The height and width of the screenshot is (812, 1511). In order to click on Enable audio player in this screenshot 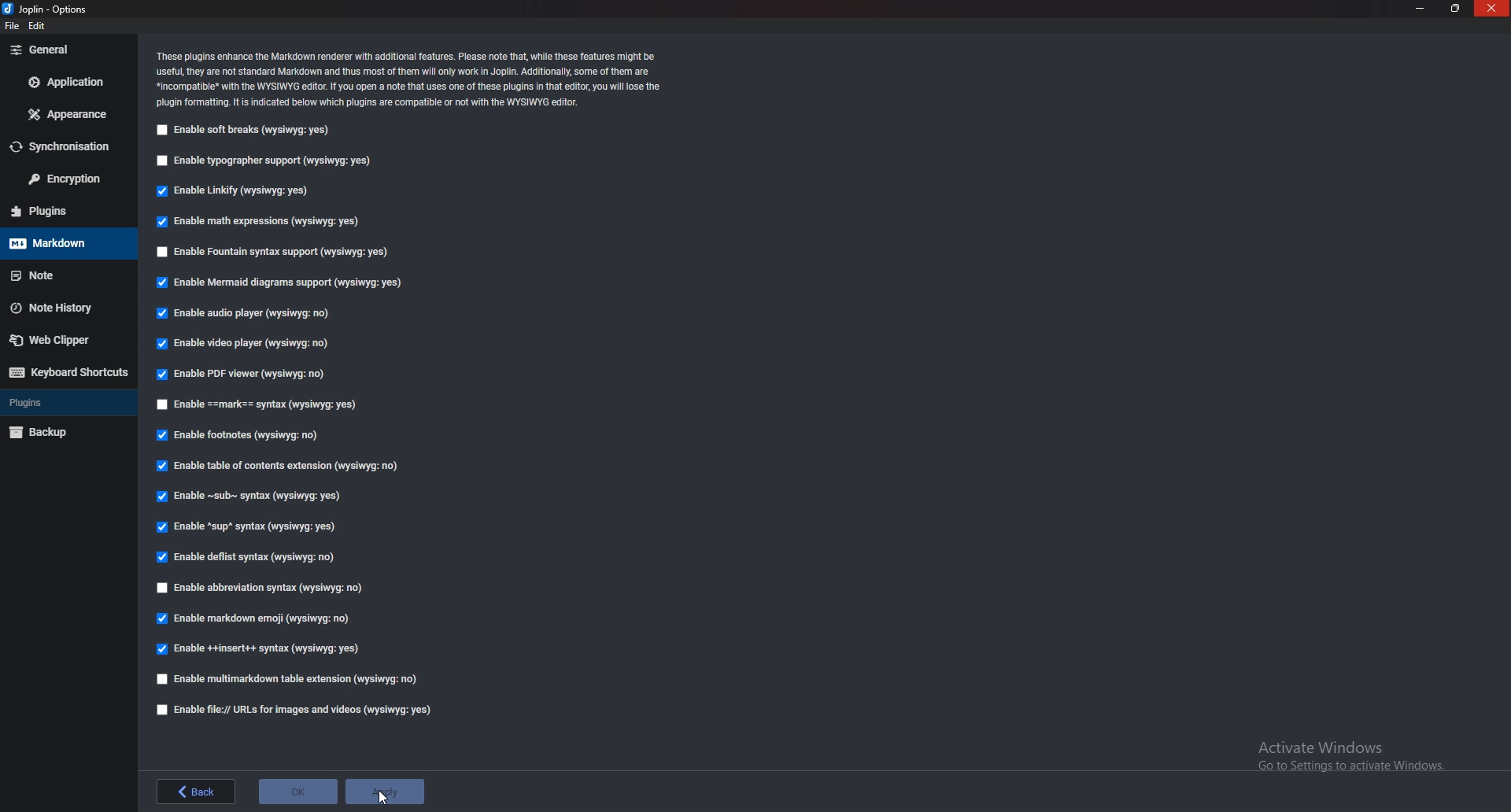, I will do `click(249, 312)`.